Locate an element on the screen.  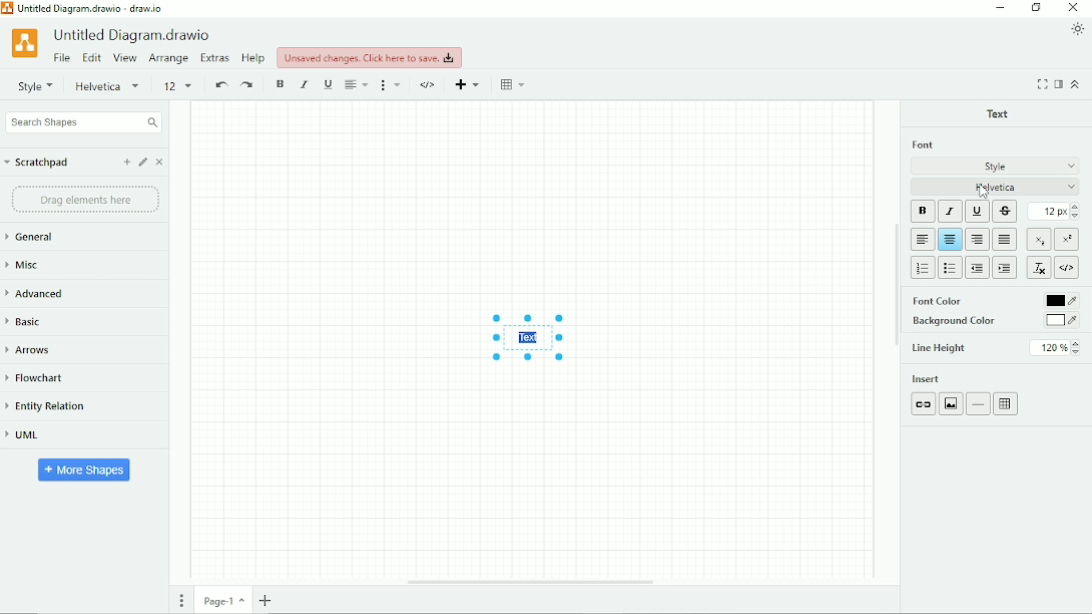
Helvetica is located at coordinates (110, 86).